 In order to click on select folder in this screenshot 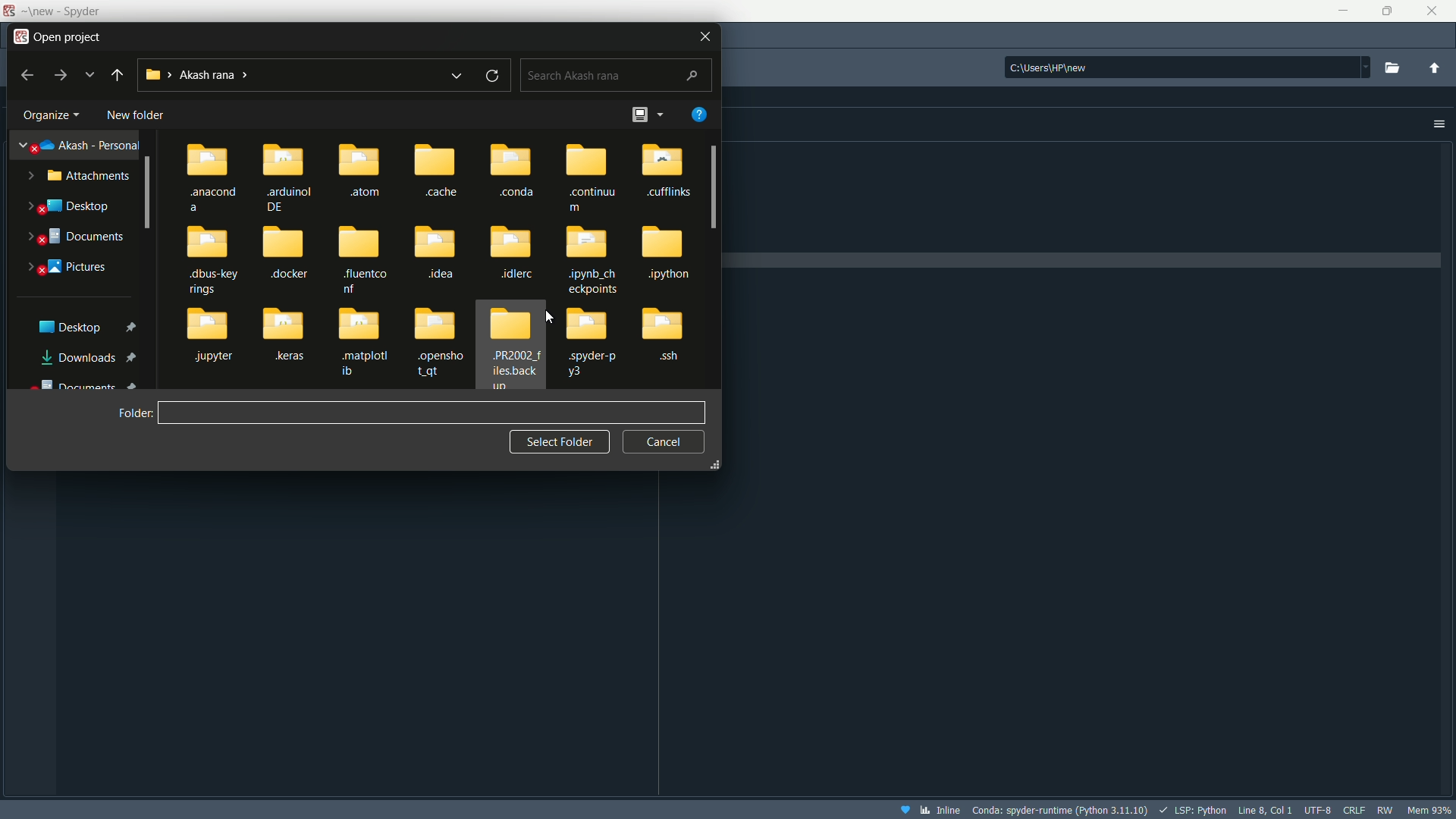, I will do `click(562, 443)`.